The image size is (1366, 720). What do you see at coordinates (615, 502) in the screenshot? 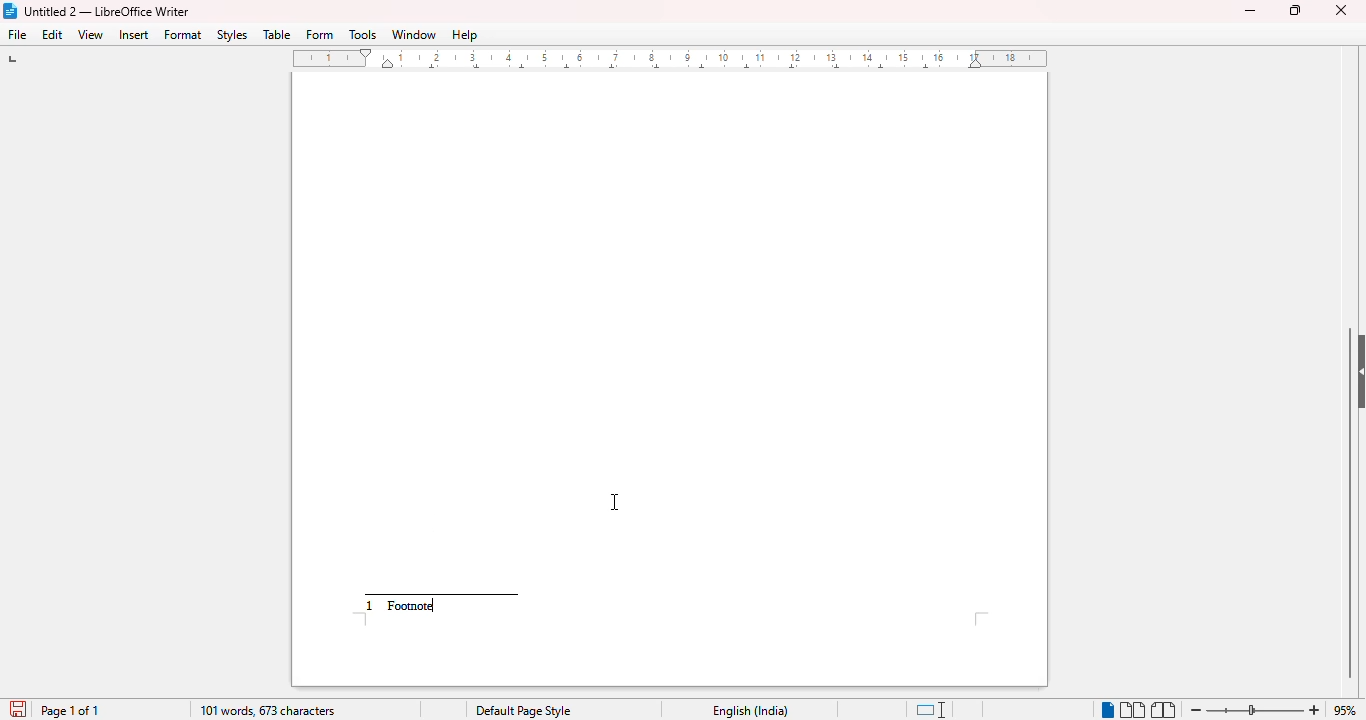
I see `cursor` at bounding box center [615, 502].